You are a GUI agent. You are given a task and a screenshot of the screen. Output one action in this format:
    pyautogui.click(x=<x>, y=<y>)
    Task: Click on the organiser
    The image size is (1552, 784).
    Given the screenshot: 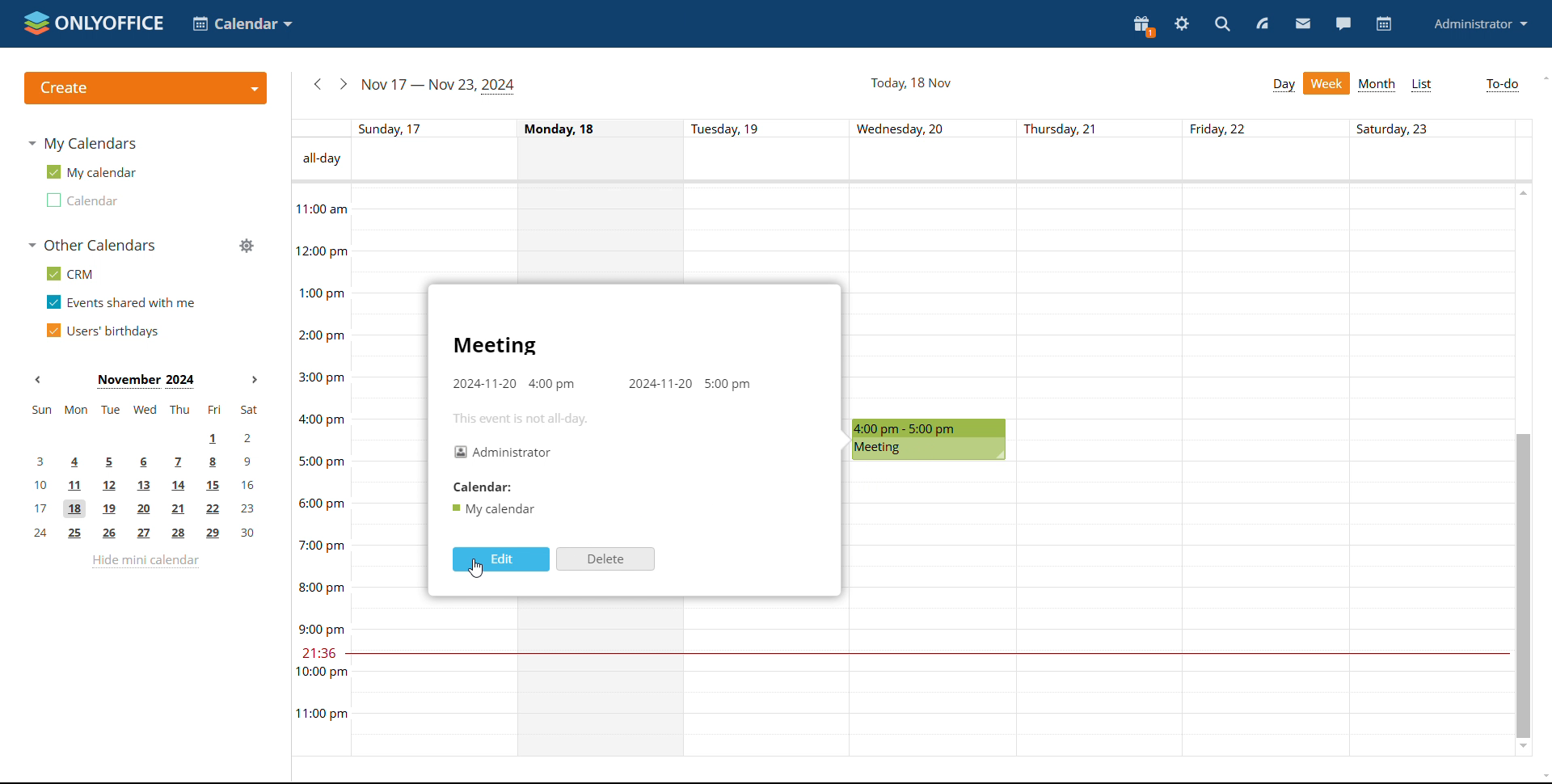 What is the action you would take?
    pyautogui.click(x=504, y=453)
    